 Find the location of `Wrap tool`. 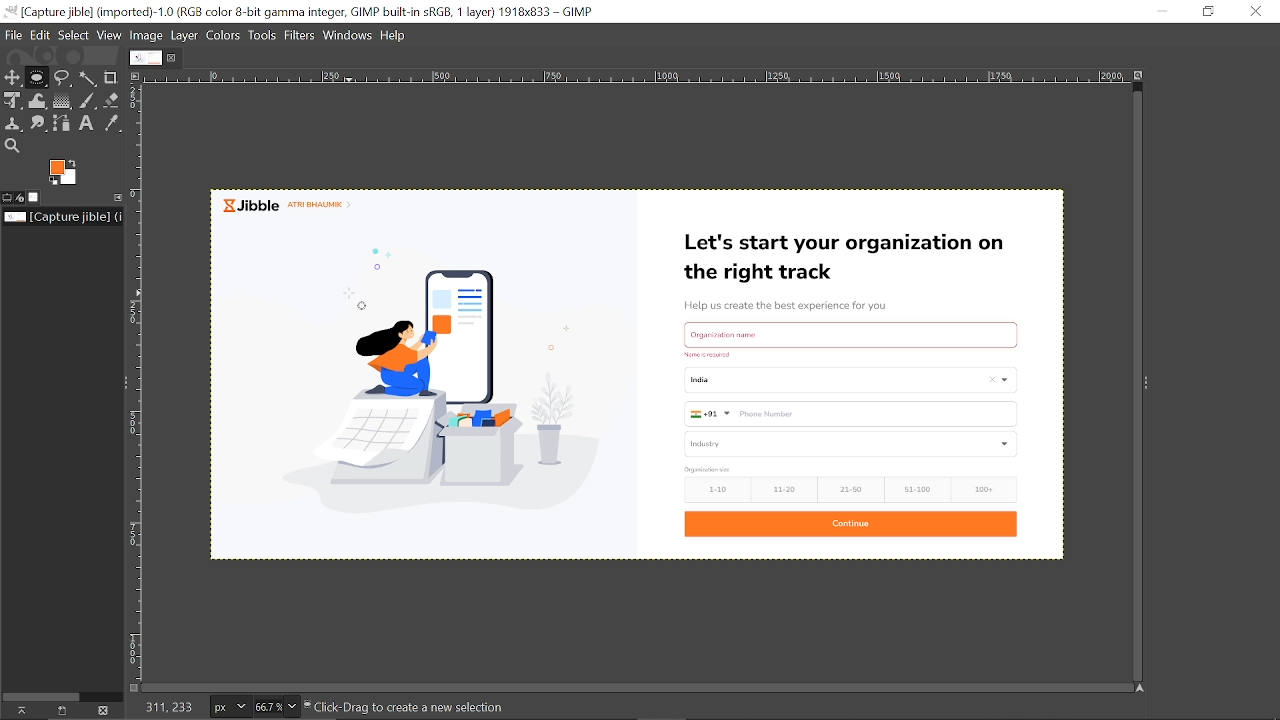

Wrap tool is located at coordinates (38, 100).